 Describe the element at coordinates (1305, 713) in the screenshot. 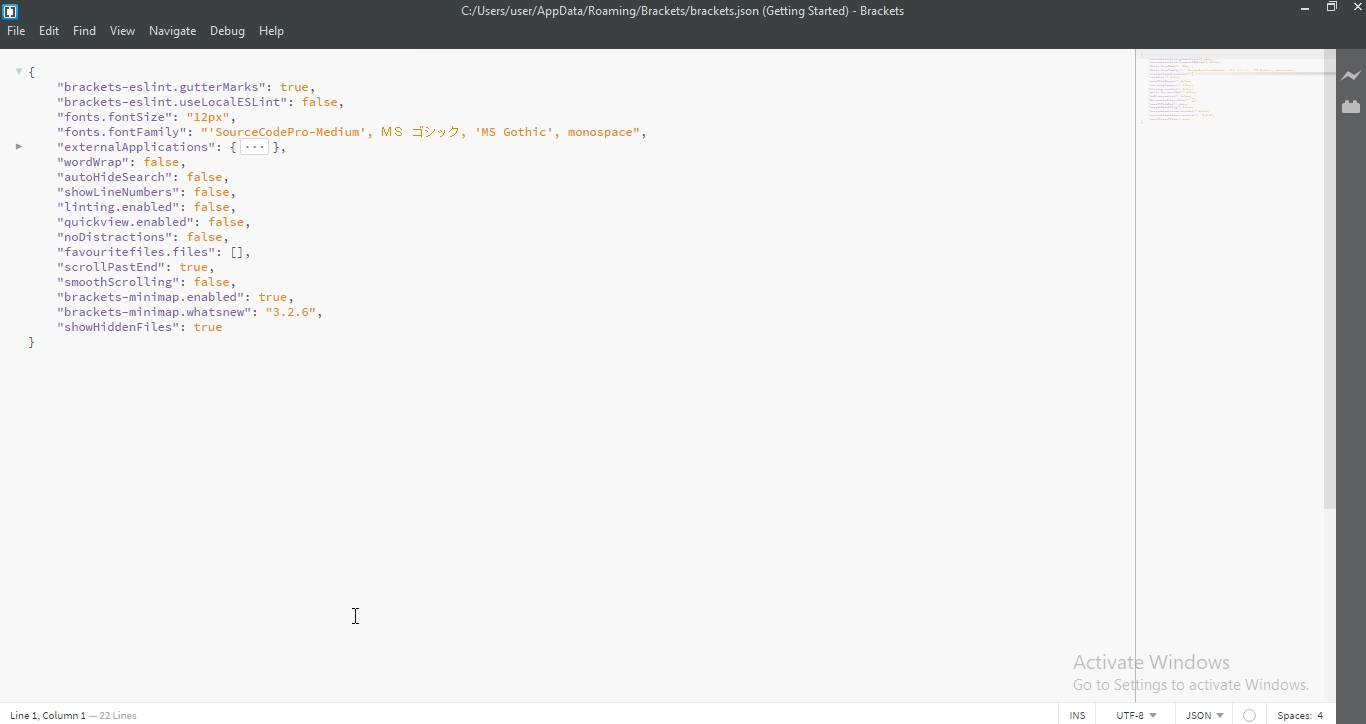

I see `Spaces:4` at that location.